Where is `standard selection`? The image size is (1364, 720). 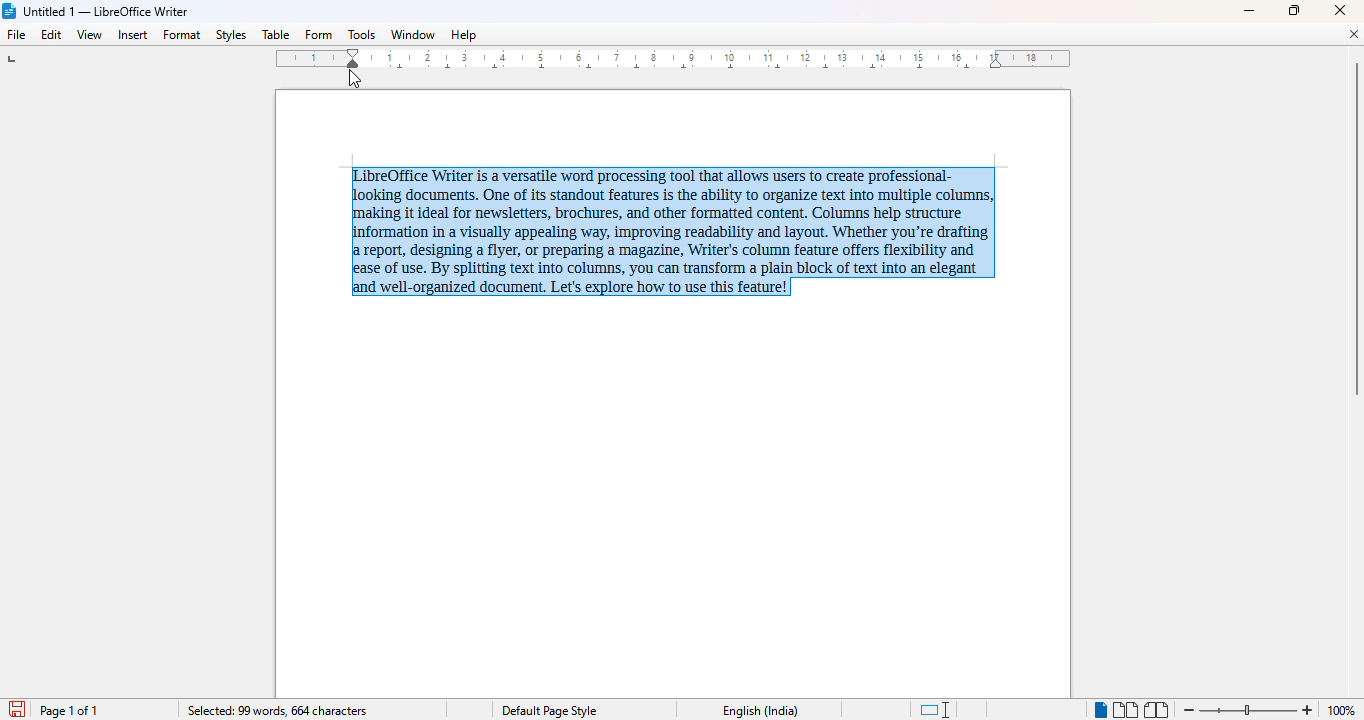
standard selection is located at coordinates (936, 709).